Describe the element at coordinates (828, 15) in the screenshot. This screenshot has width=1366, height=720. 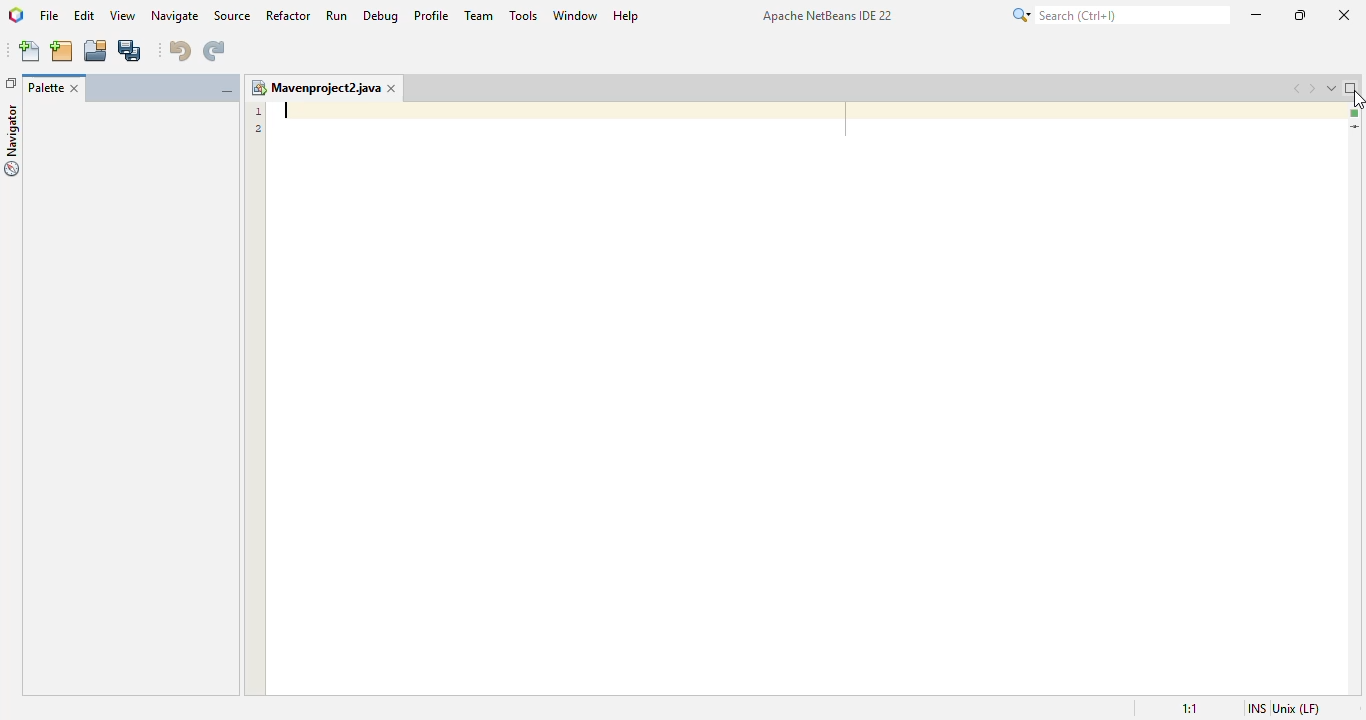
I see `title` at that location.